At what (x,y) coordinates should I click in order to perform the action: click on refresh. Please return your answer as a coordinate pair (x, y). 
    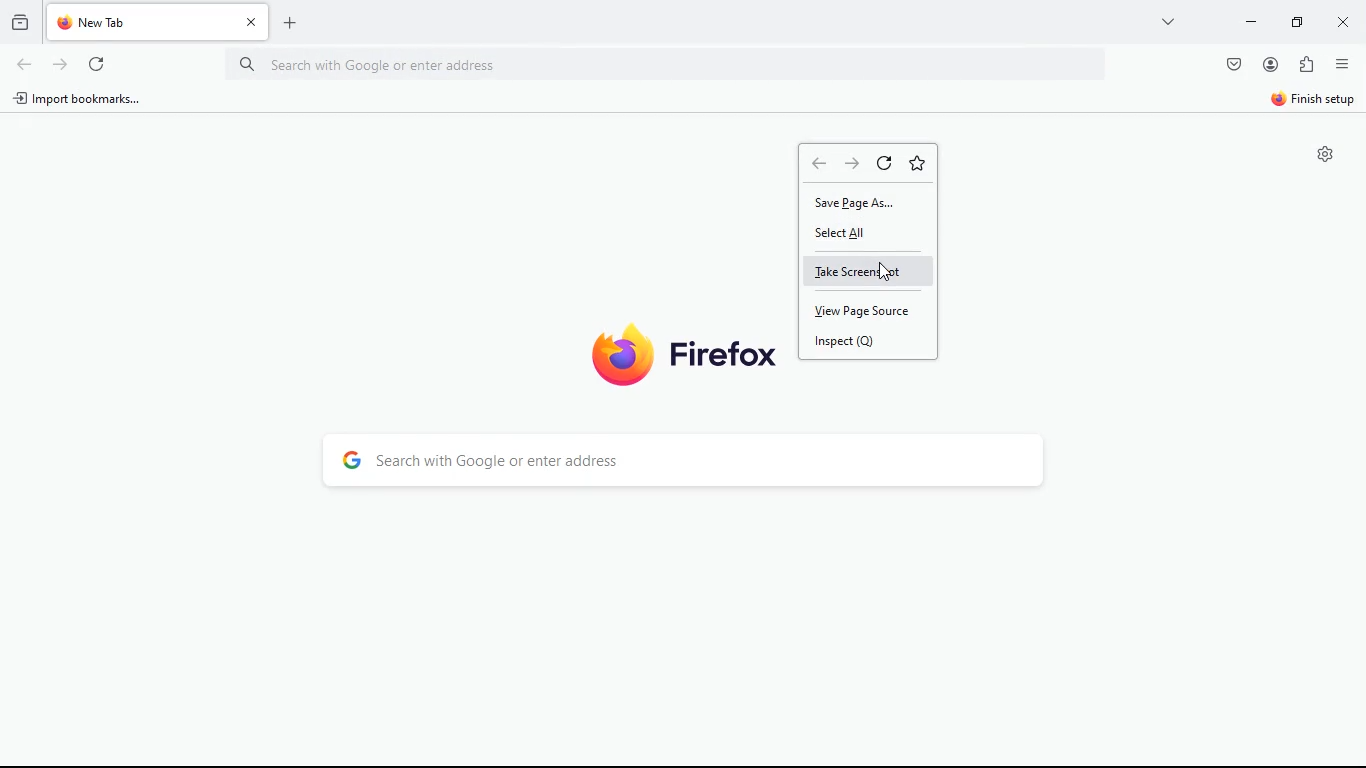
    Looking at the image, I should click on (97, 66).